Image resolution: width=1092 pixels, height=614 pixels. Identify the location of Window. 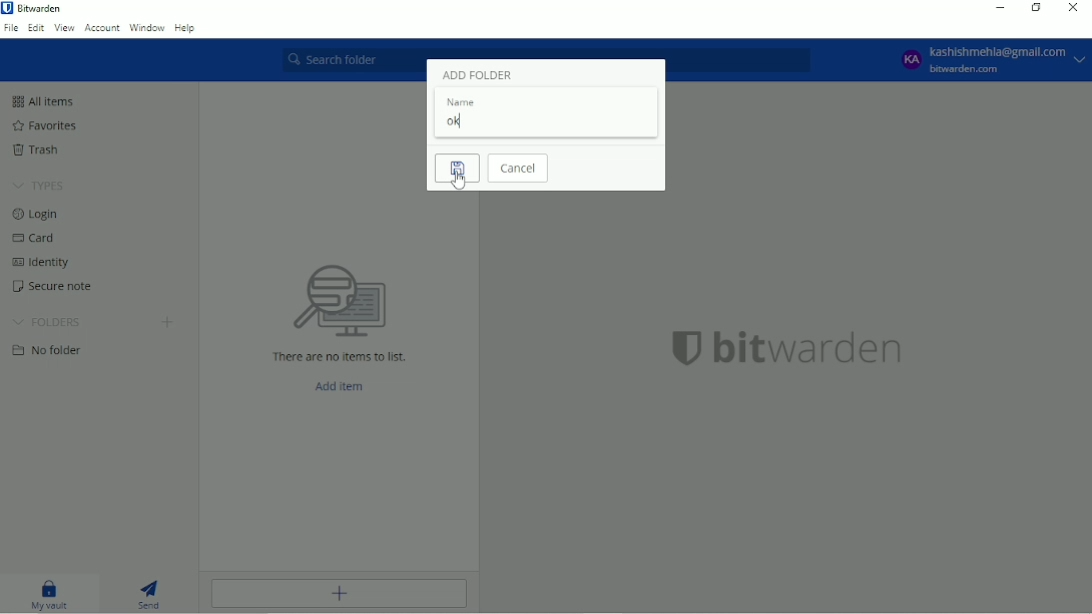
(148, 29).